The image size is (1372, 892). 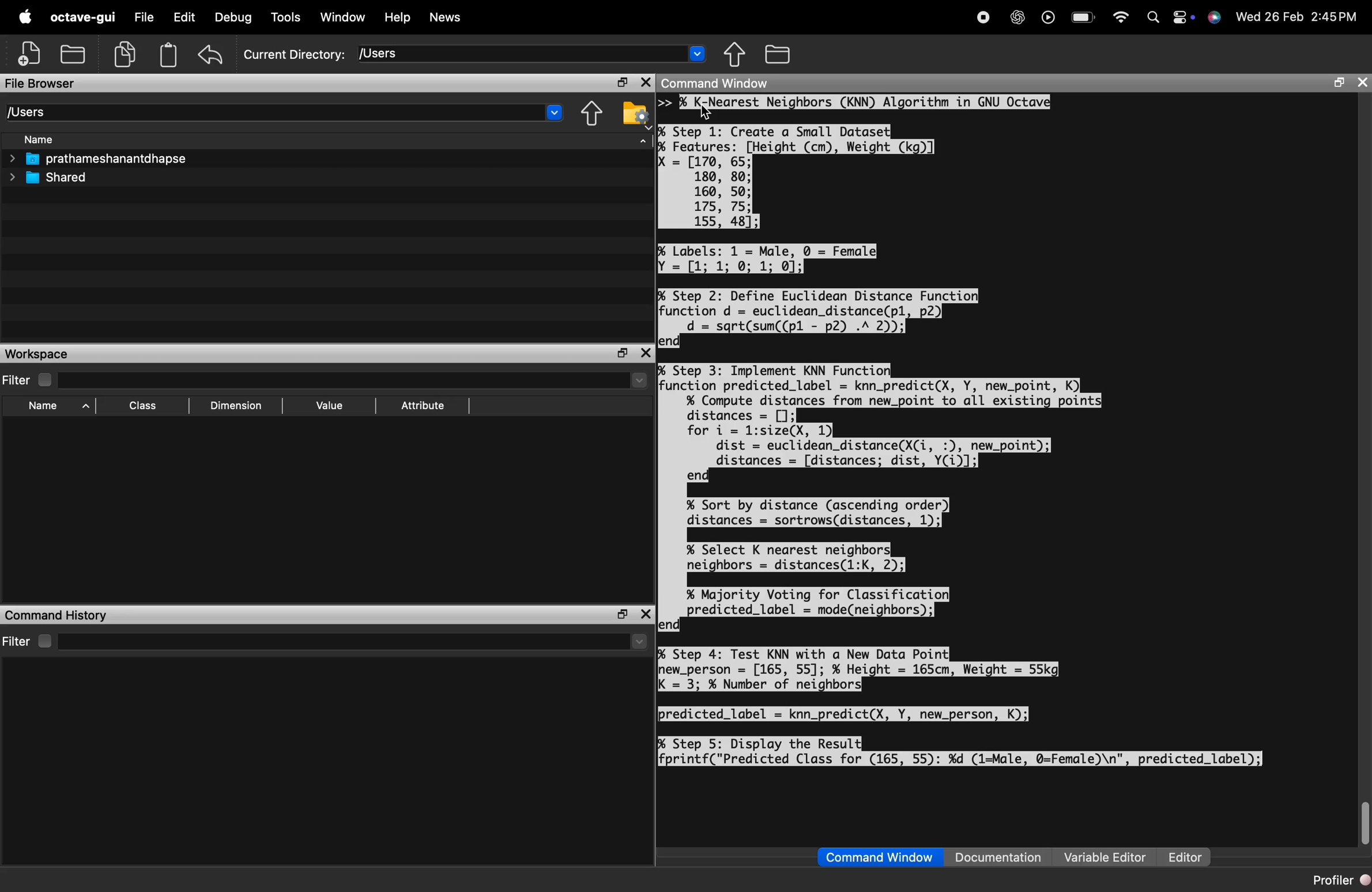 What do you see at coordinates (47, 139) in the screenshot?
I see `Name` at bounding box center [47, 139].